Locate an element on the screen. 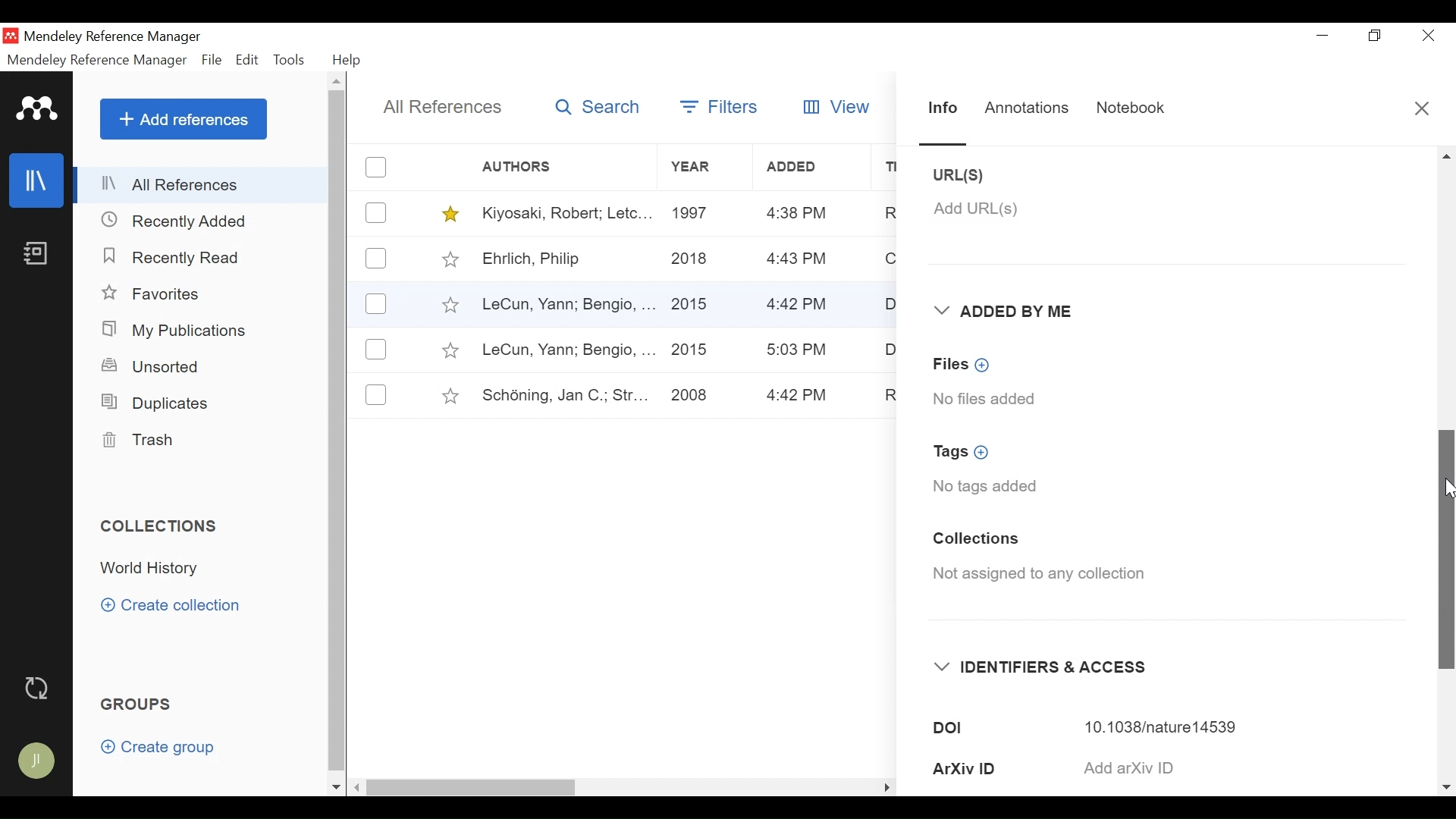  Avatar is located at coordinates (38, 762).